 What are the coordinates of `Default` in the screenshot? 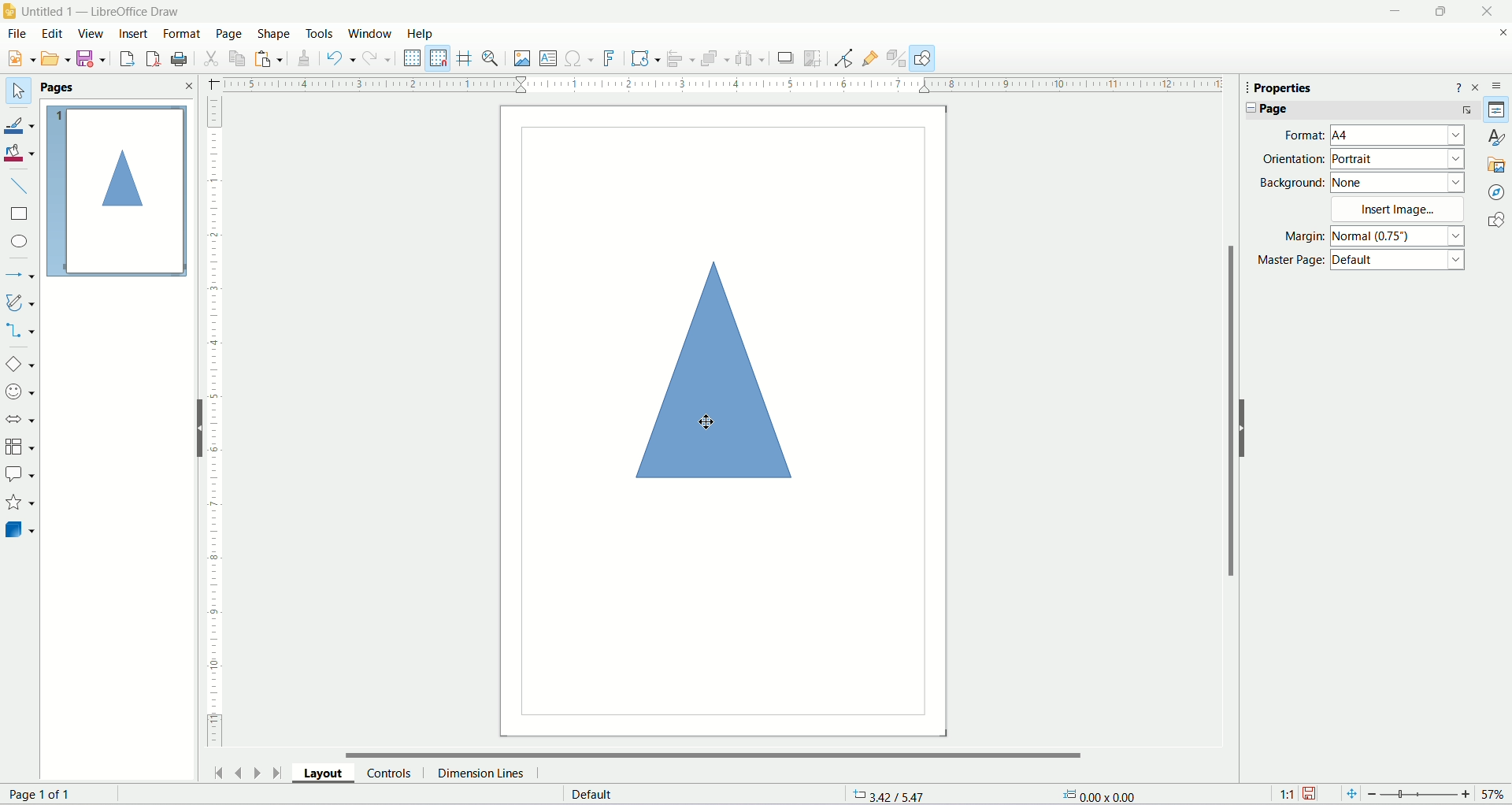 It's located at (1399, 260).